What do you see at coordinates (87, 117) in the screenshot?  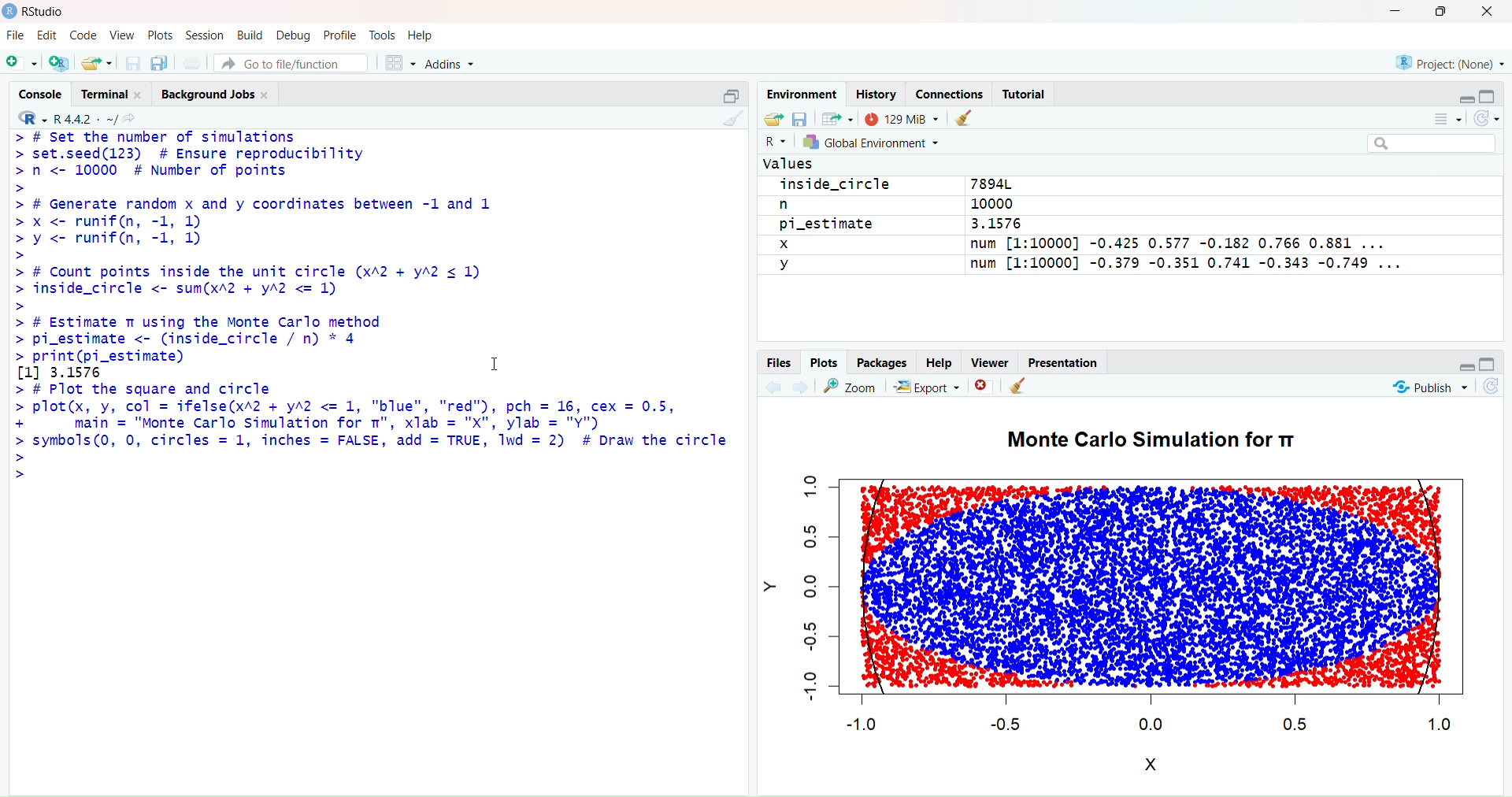 I see `R 4.2.2~/` at bounding box center [87, 117].